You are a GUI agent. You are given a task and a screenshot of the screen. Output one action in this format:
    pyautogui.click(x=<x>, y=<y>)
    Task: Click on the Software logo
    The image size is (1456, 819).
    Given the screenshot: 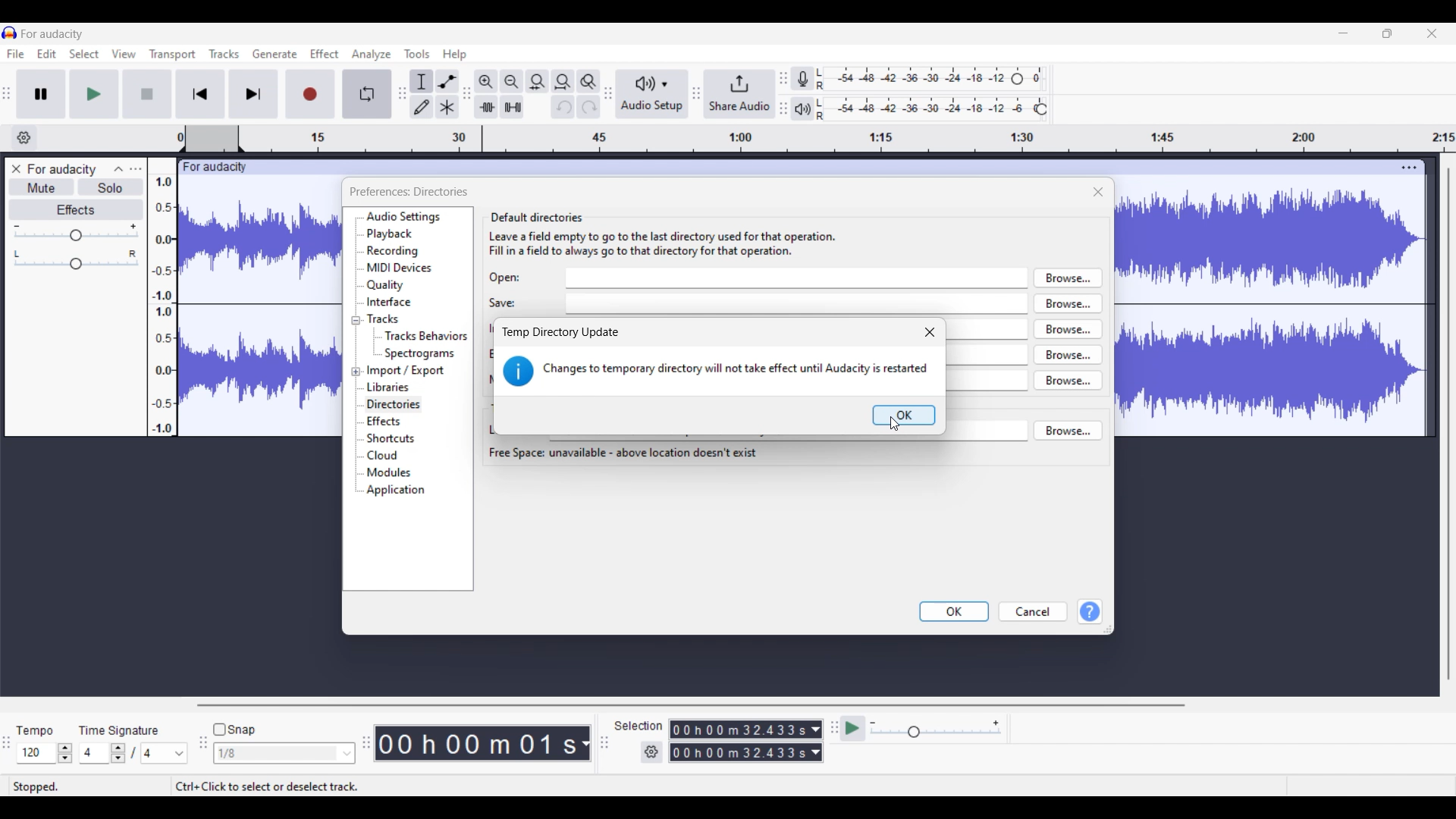 What is the action you would take?
    pyautogui.click(x=10, y=33)
    